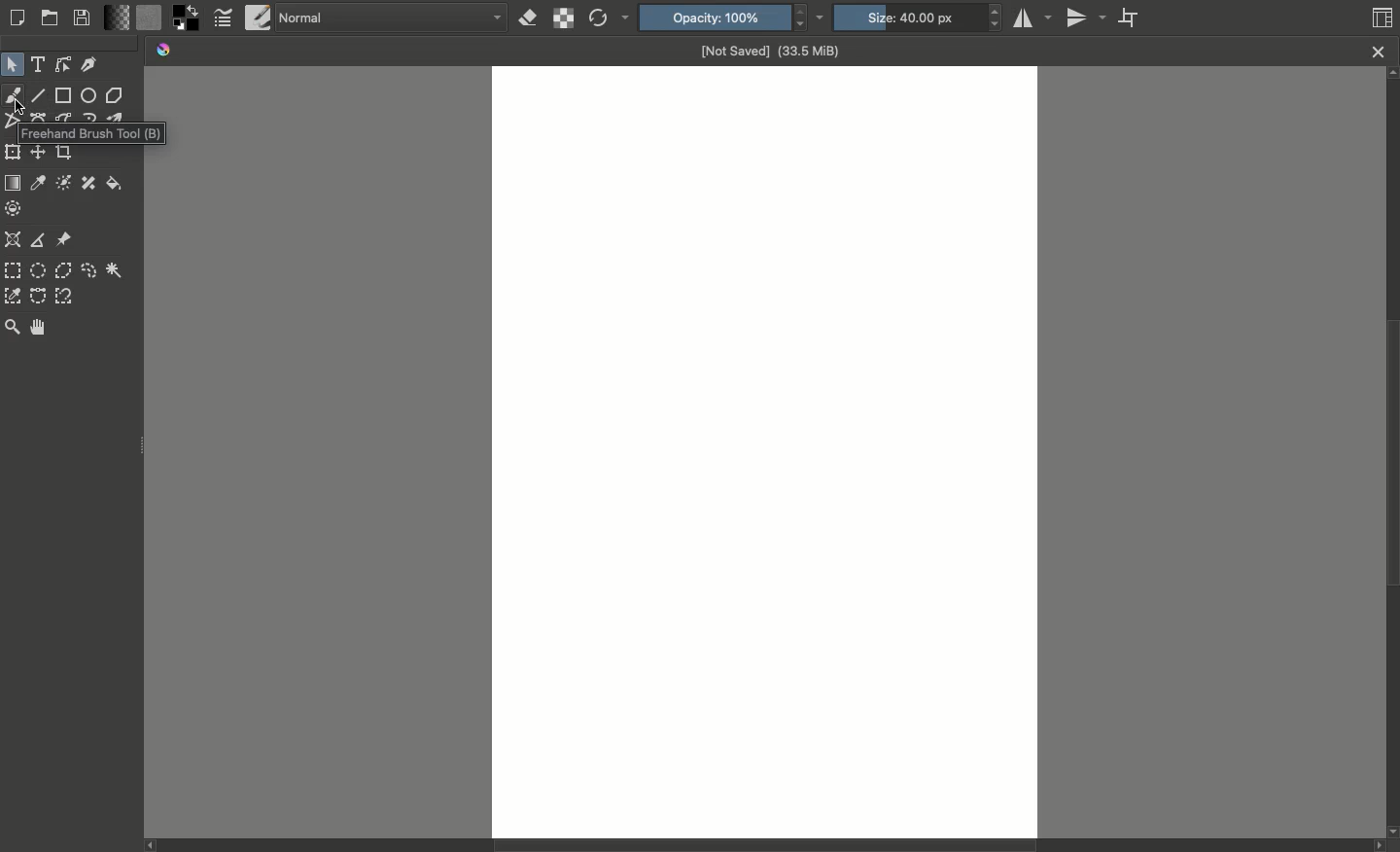 The width and height of the screenshot is (1400, 852). I want to click on Beizer curve selection tool, so click(39, 295).